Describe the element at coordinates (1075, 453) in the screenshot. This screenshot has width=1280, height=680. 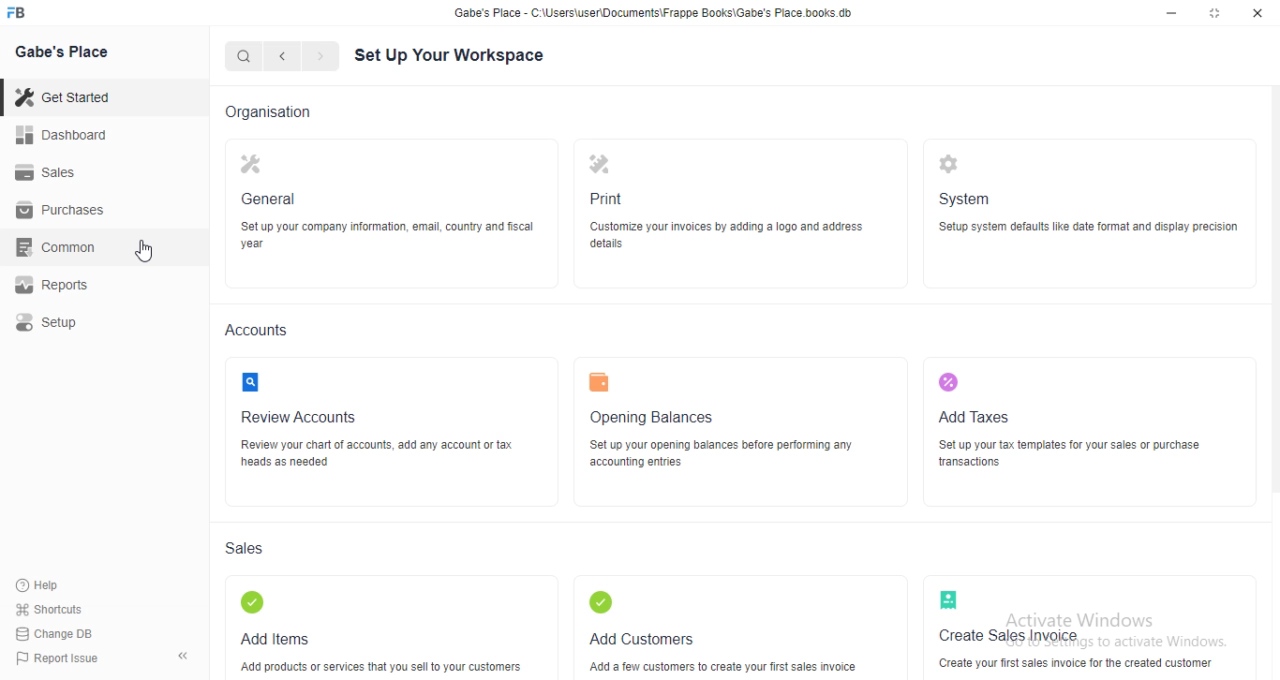
I see `‘Set up your tax templates for your sales or purchase transactions.` at that location.